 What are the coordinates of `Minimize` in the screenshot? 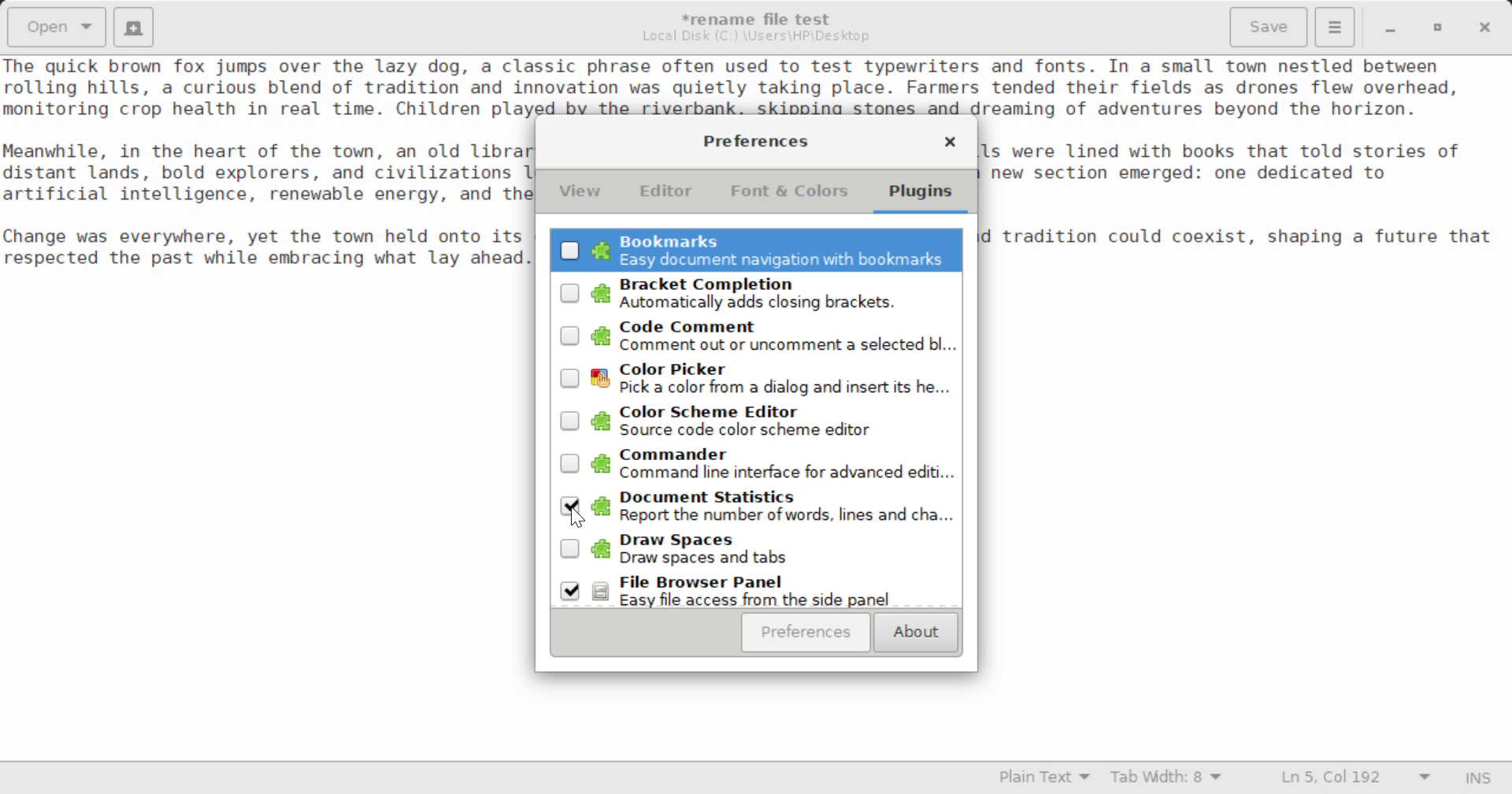 It's located at (1438, 28).